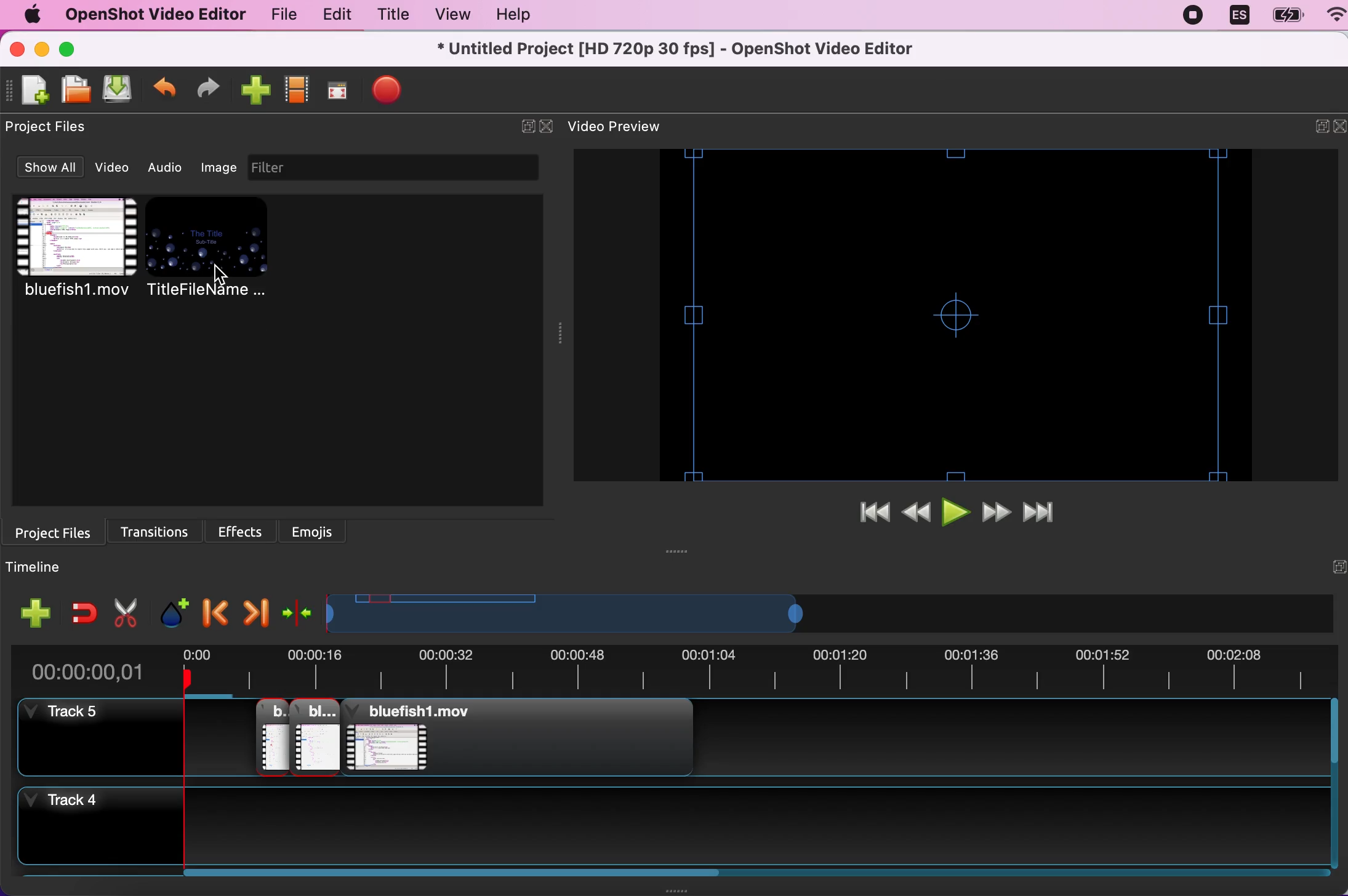  I want to click on rewind, so click(918, 514).